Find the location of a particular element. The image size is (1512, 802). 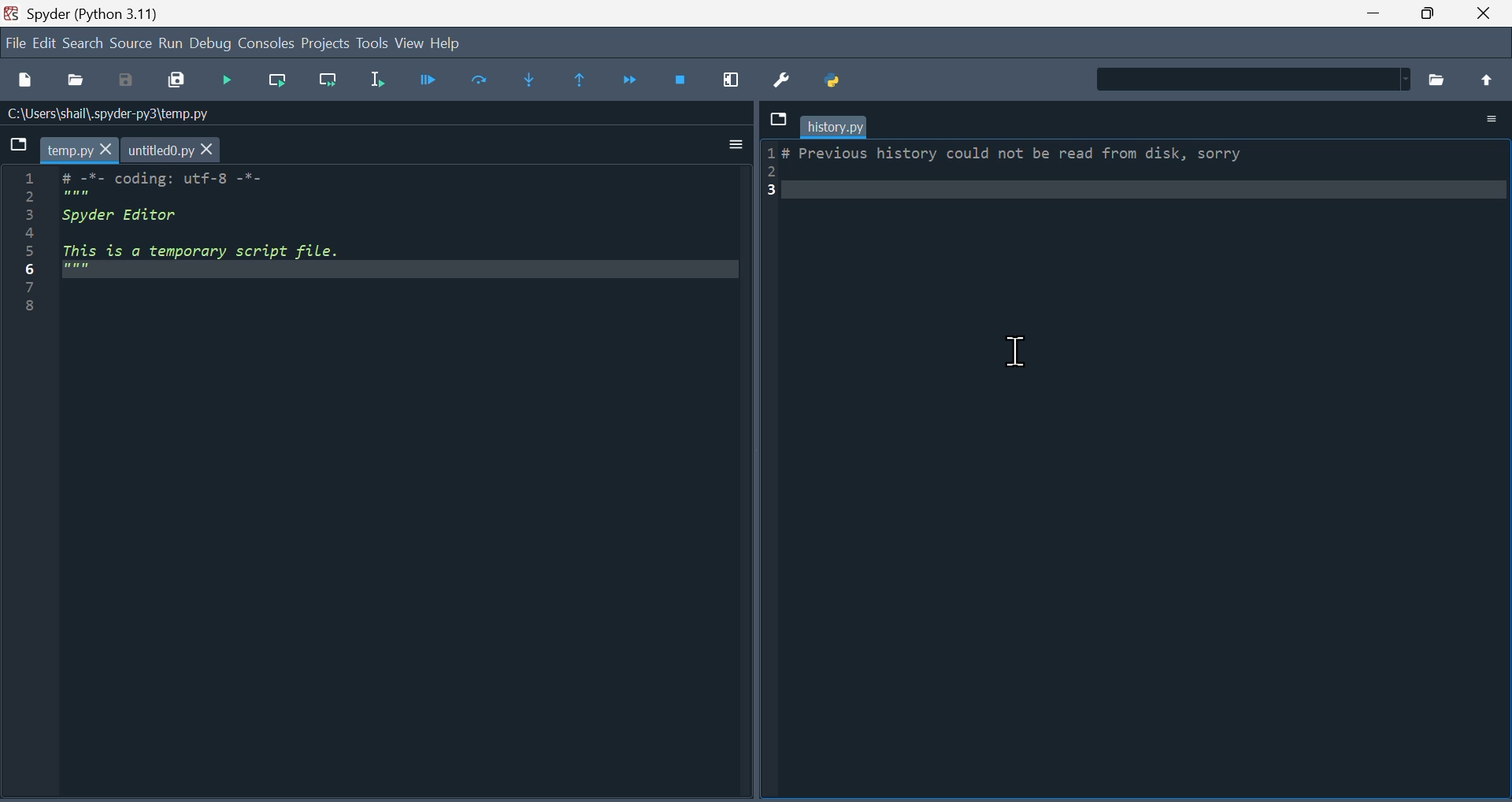

Save as is located at coordinates (130, 80).